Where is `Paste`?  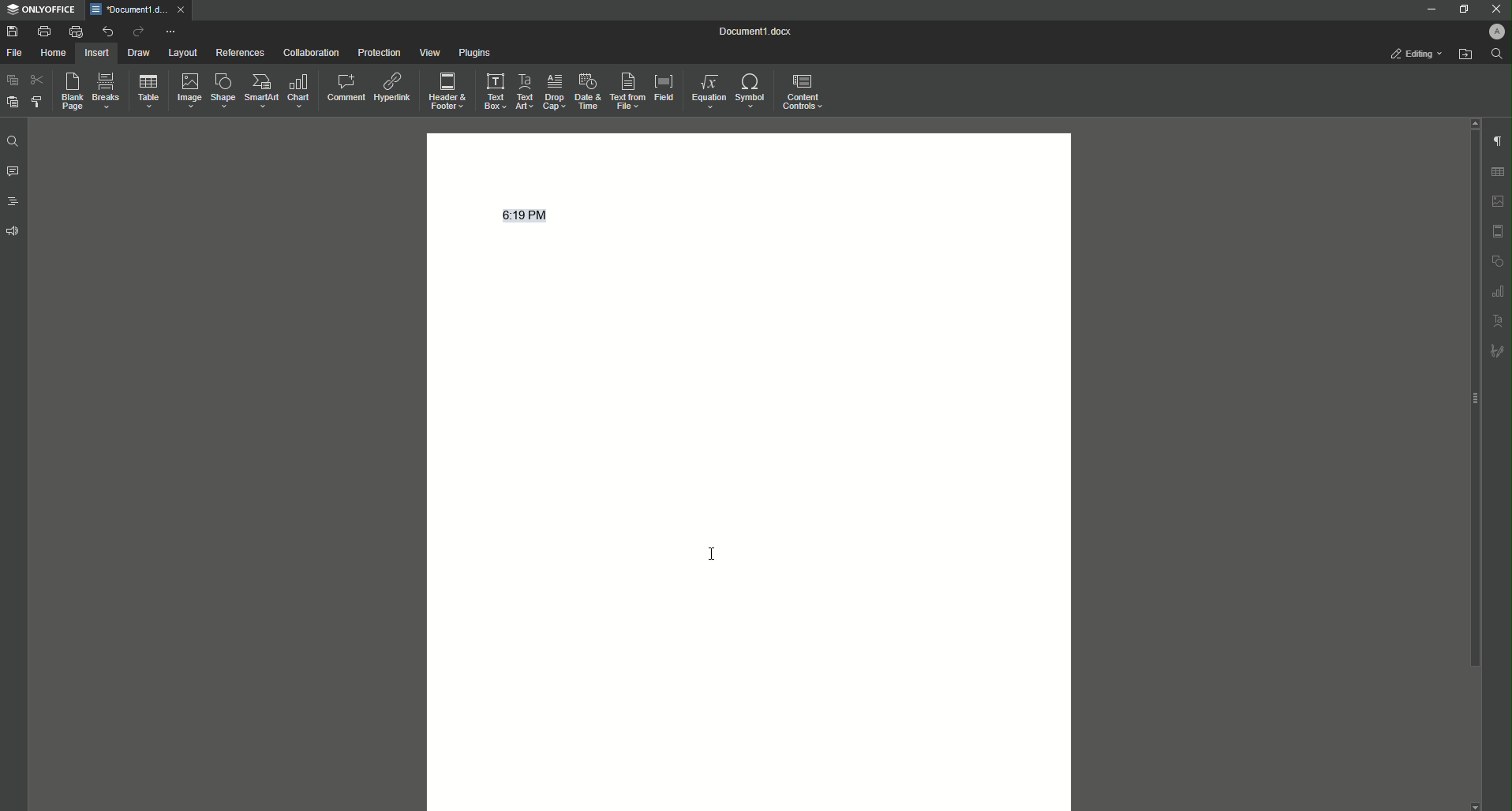 Paste is located at coordinates (11, 80).